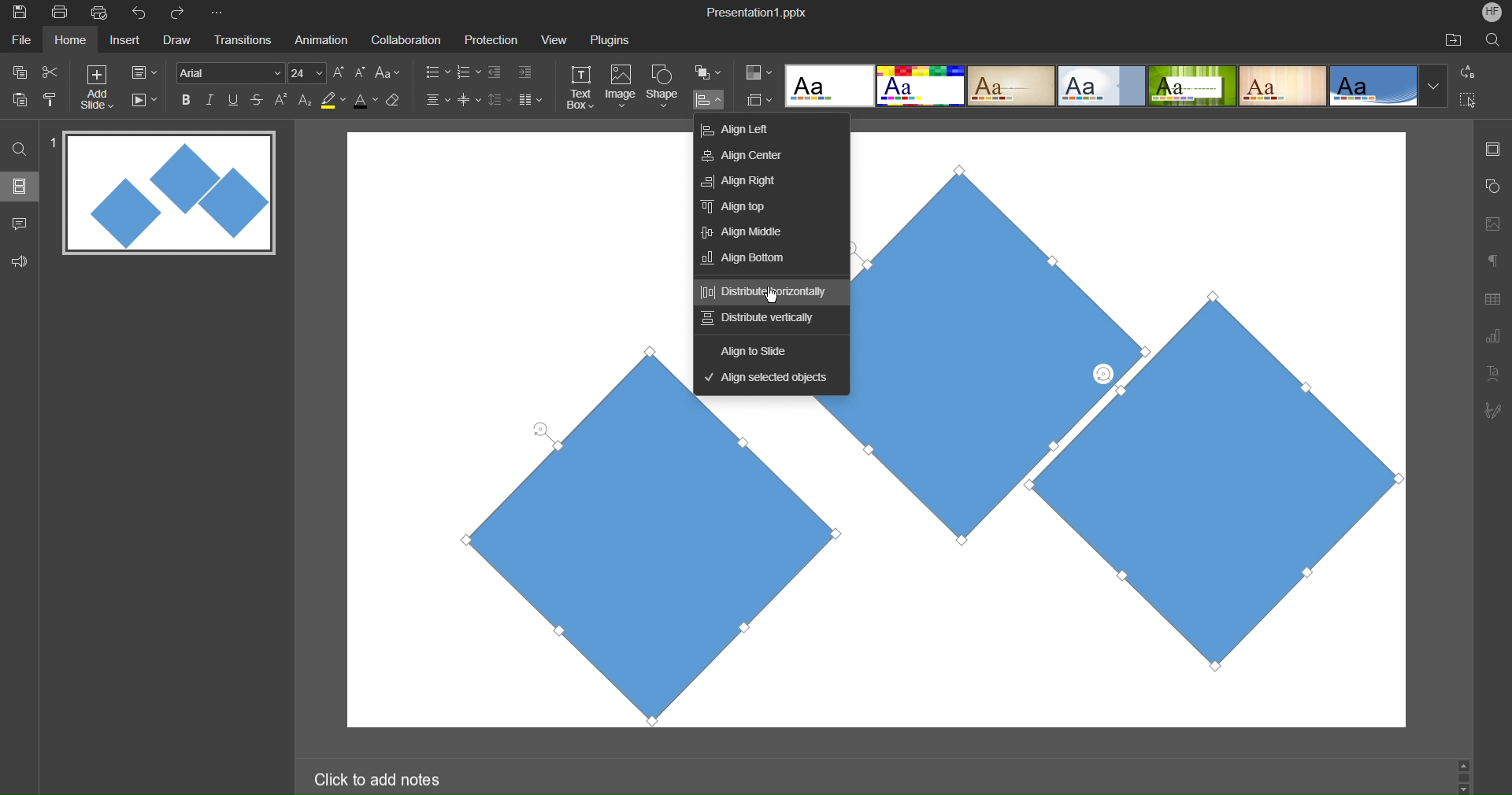 The height and width of the screenshot is (795, 1512). What do you see at coordinates (760, 99) in the screenshot?
I see `Slide Size Settings` at bounding box center [760, 99].